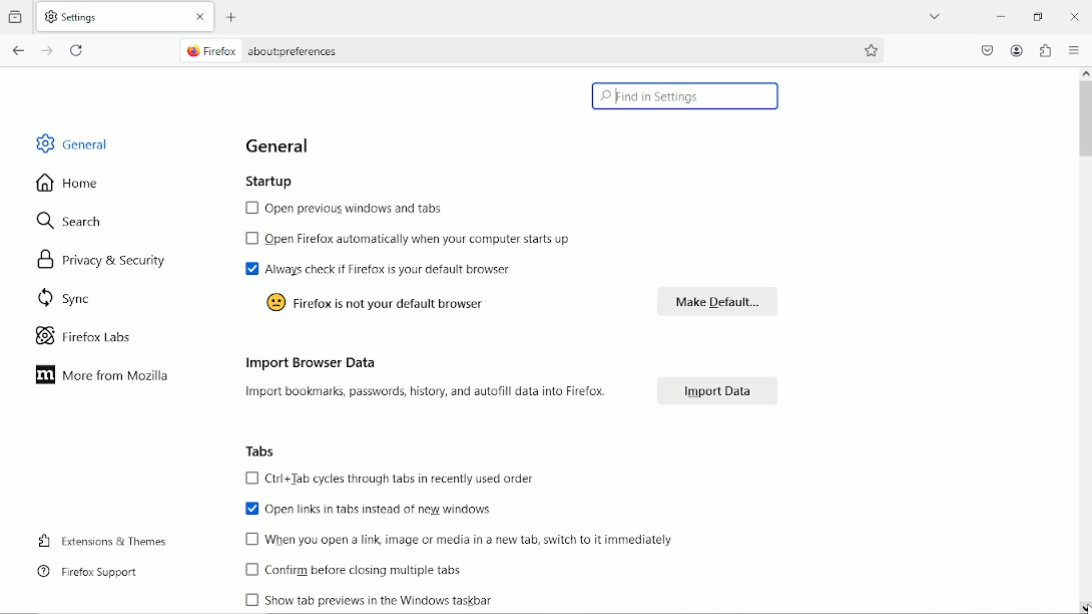  What do you see at coordinates (718, 302) in the screenshot?
I see `make default` at bounding box center [718, 302].